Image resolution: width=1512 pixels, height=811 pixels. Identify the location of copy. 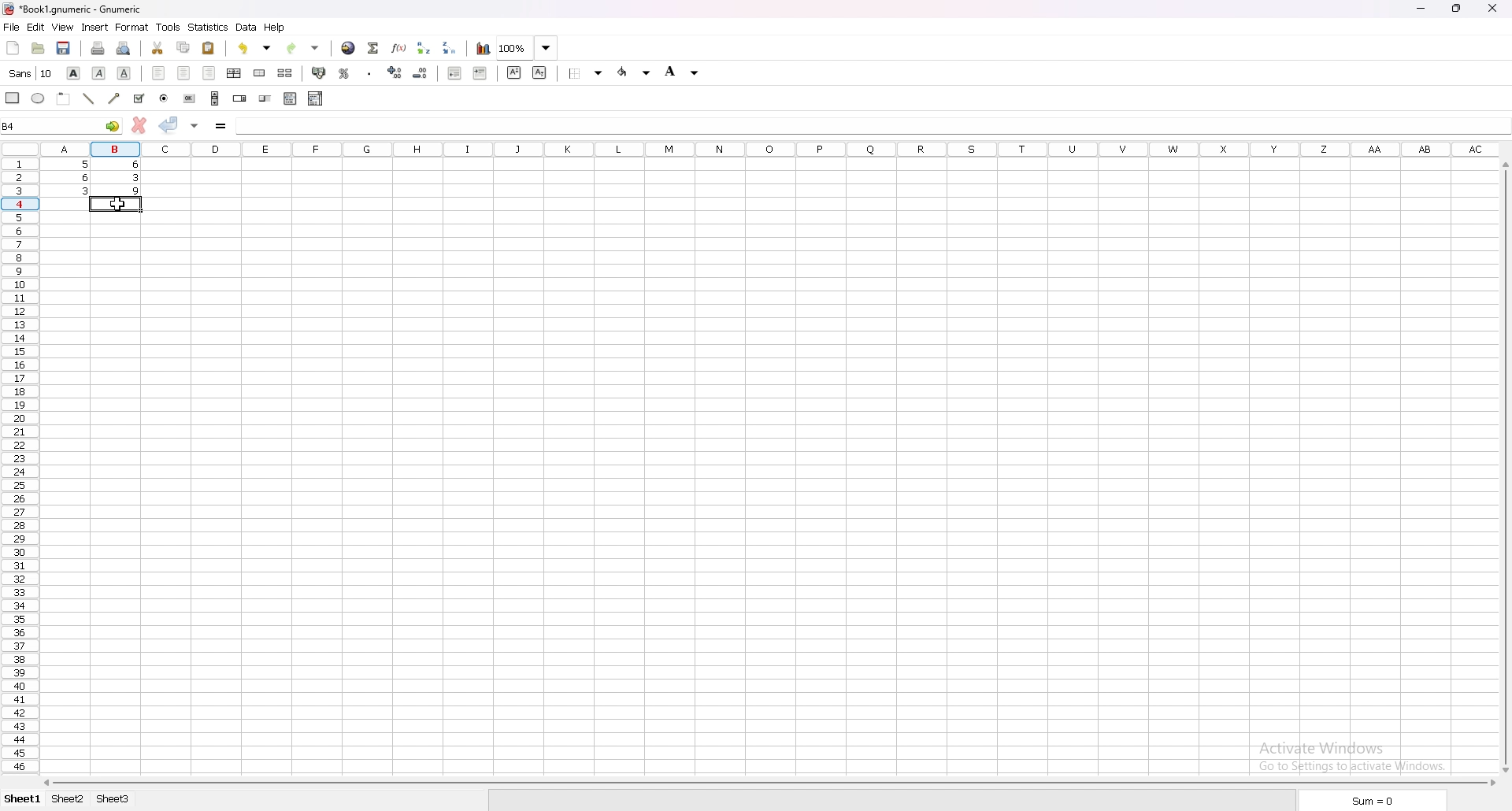
(183, 49).